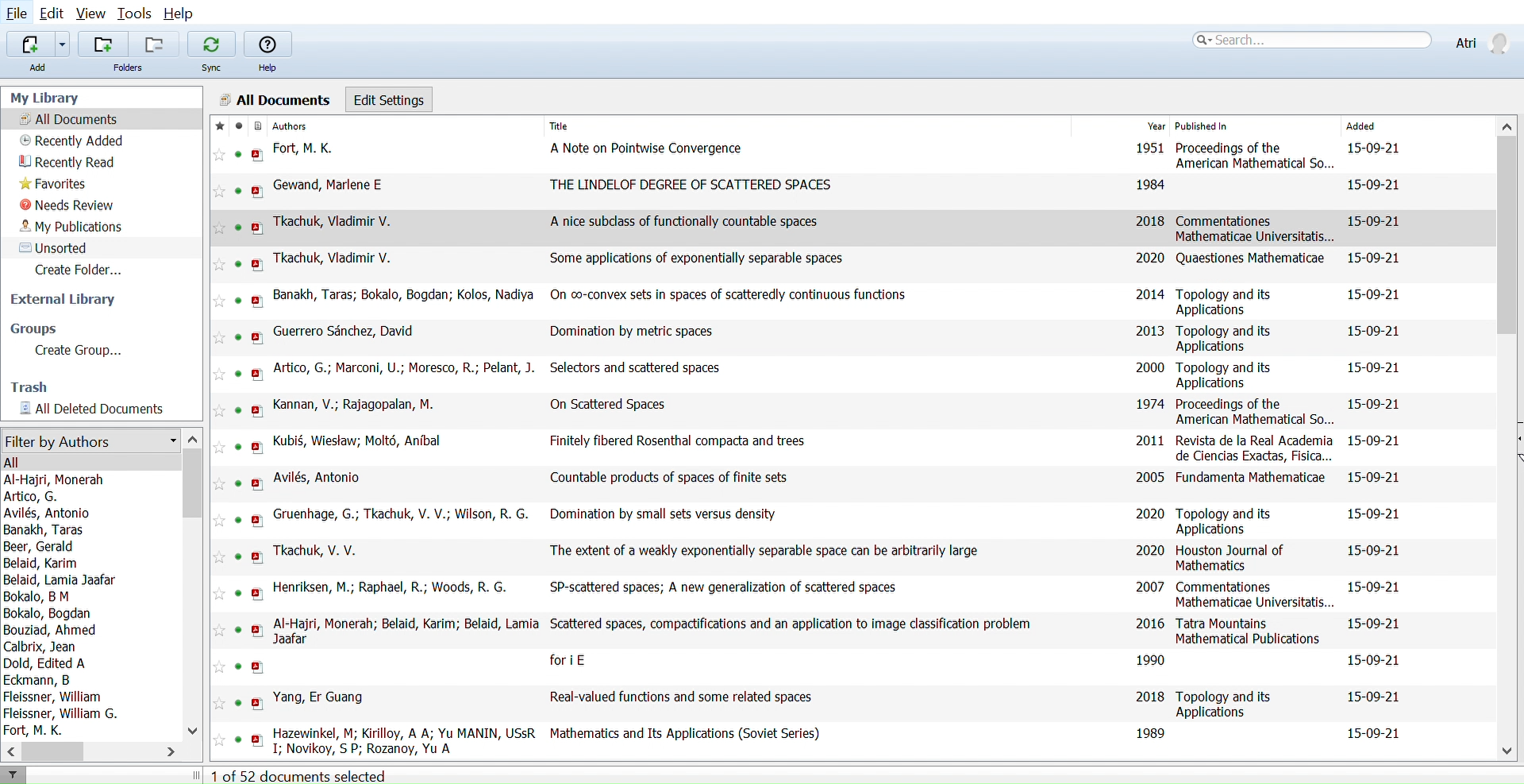 The image size is (1524, 784). What do you see at coordinates (336, 222) in the screenshot?
I see `Tkachuk, Vladimir V.` at bounding box center [336, 222].